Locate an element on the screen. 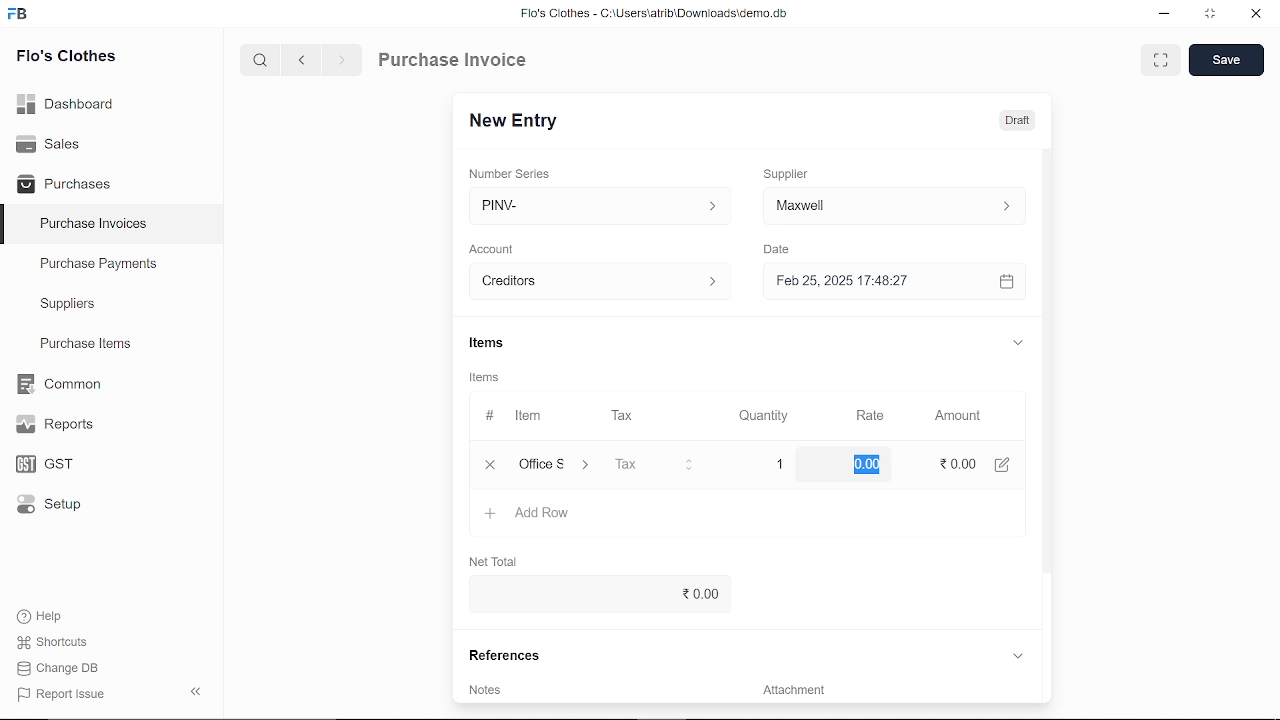 This screenshot has height=720, width=1280. Account is located at coordinates (498, 247).